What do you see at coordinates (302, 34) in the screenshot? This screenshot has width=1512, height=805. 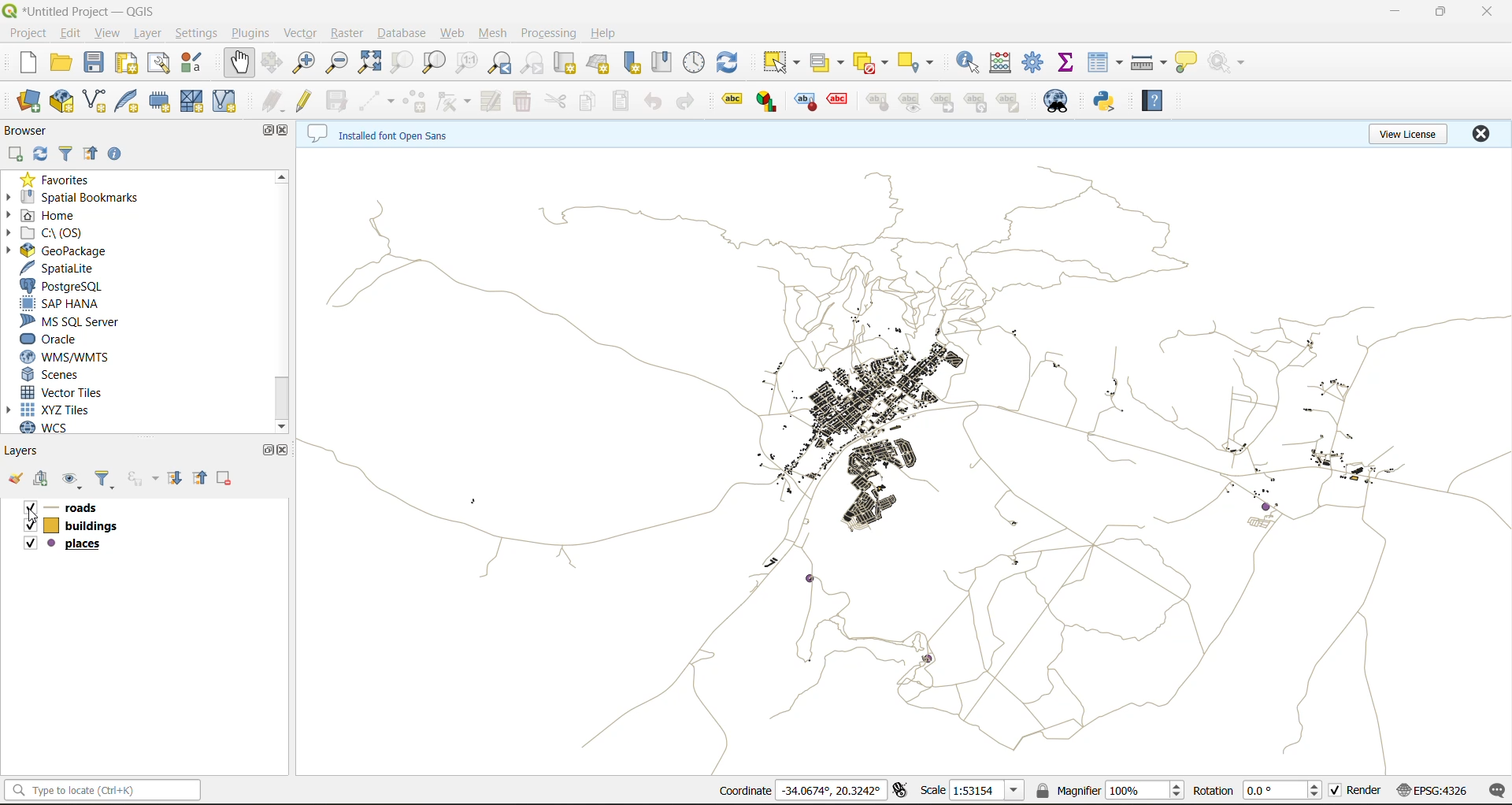 I see `vector` at bounding box center [302, 34].